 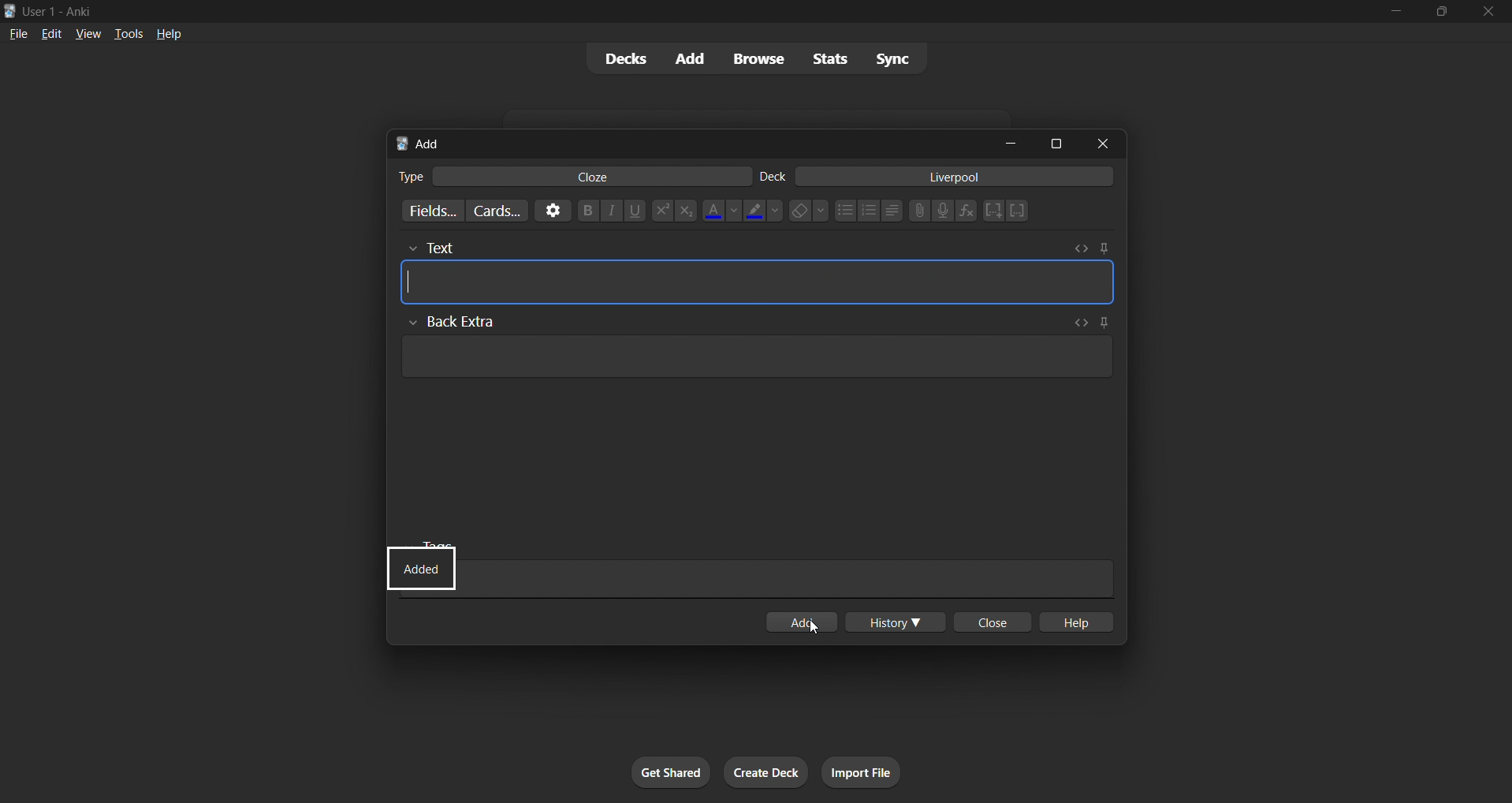 What do you see at coordinates (764, 772) in the screenshot?
I see `create deck` at bounding box center [764, 772].